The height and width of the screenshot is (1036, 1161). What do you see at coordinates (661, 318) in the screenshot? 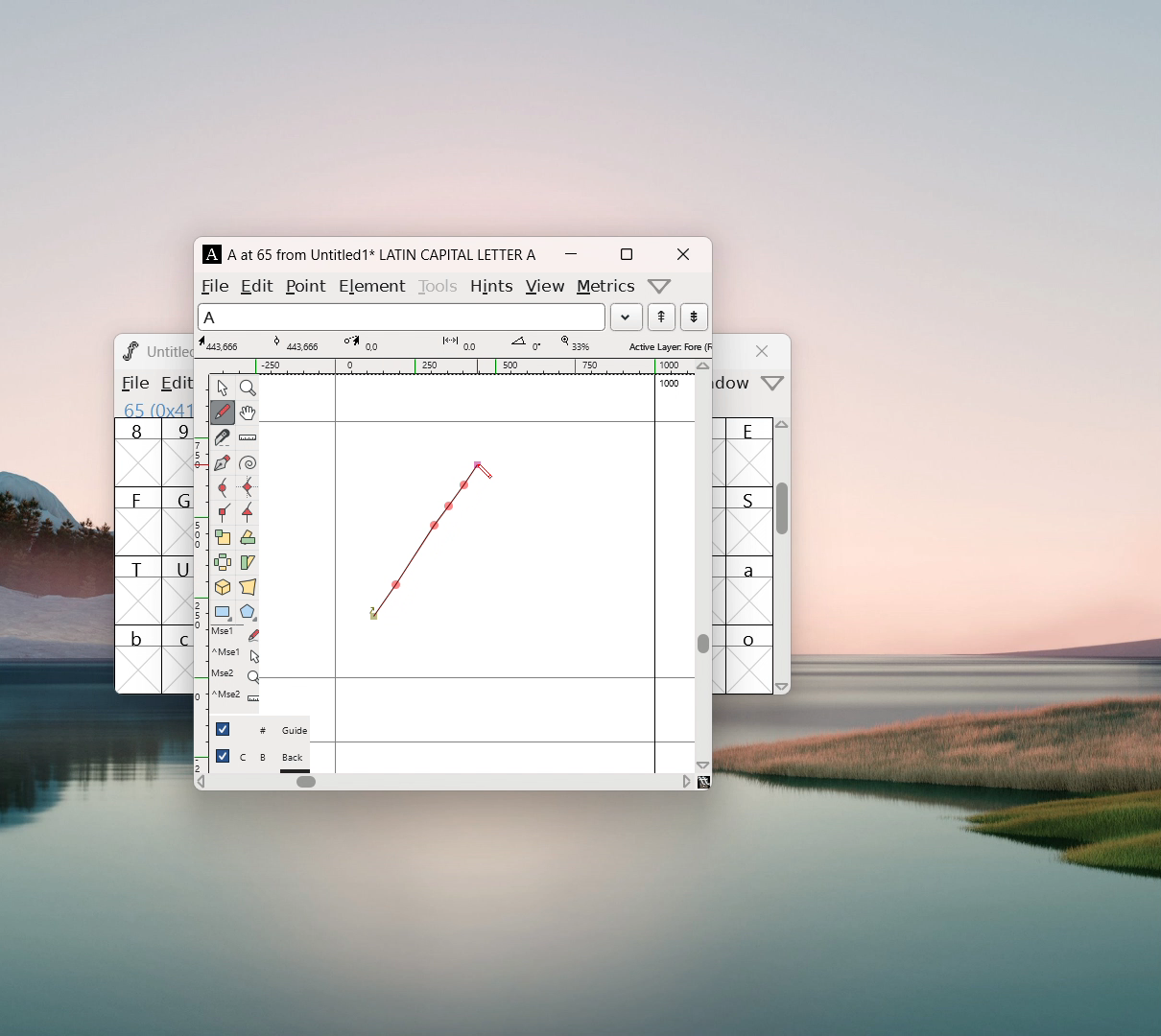
I see `show the next word in the wordlist` at bounding box center [661, 318].